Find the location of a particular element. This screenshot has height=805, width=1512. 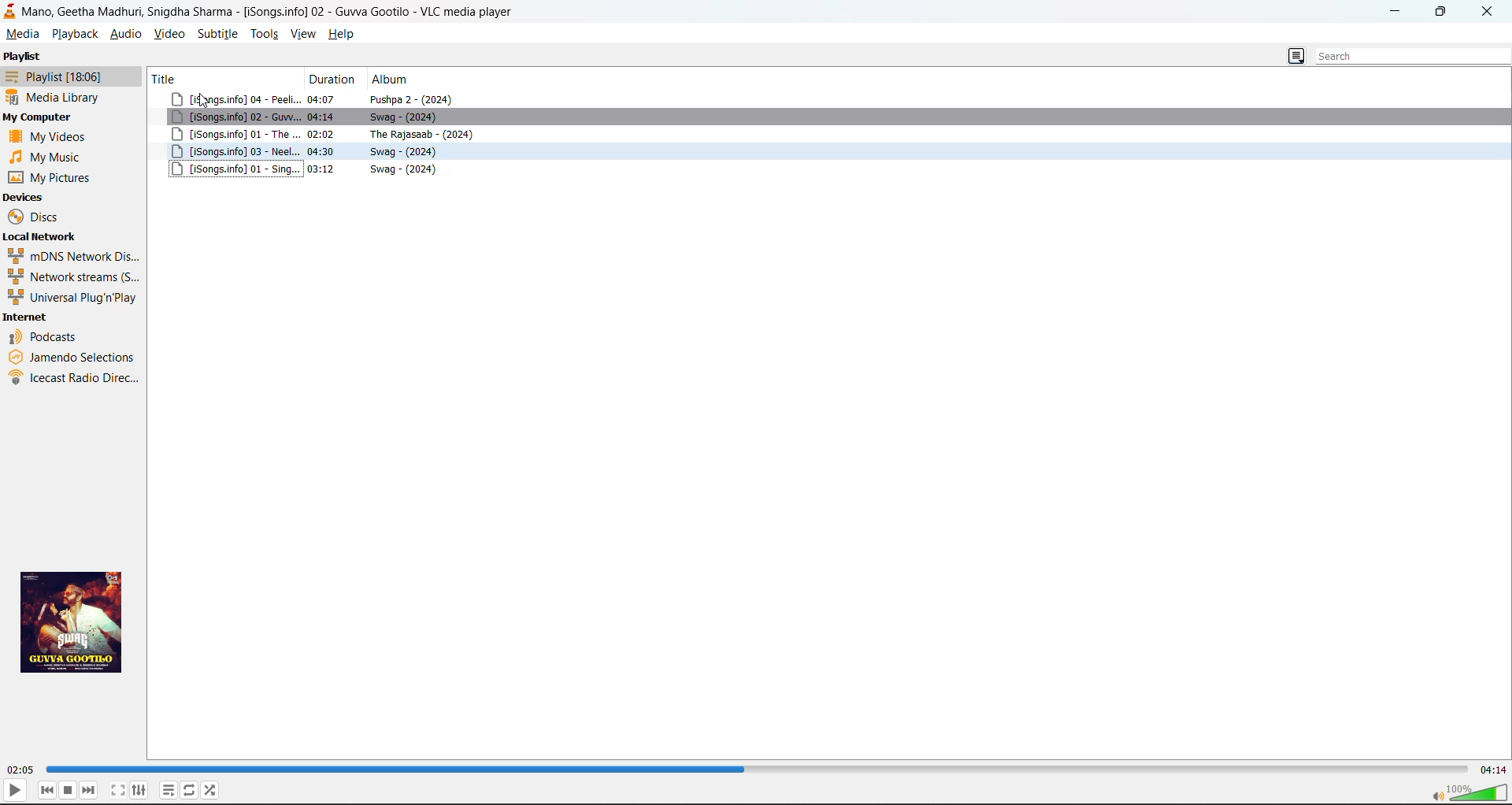

song is located at coordinates (830, 135).